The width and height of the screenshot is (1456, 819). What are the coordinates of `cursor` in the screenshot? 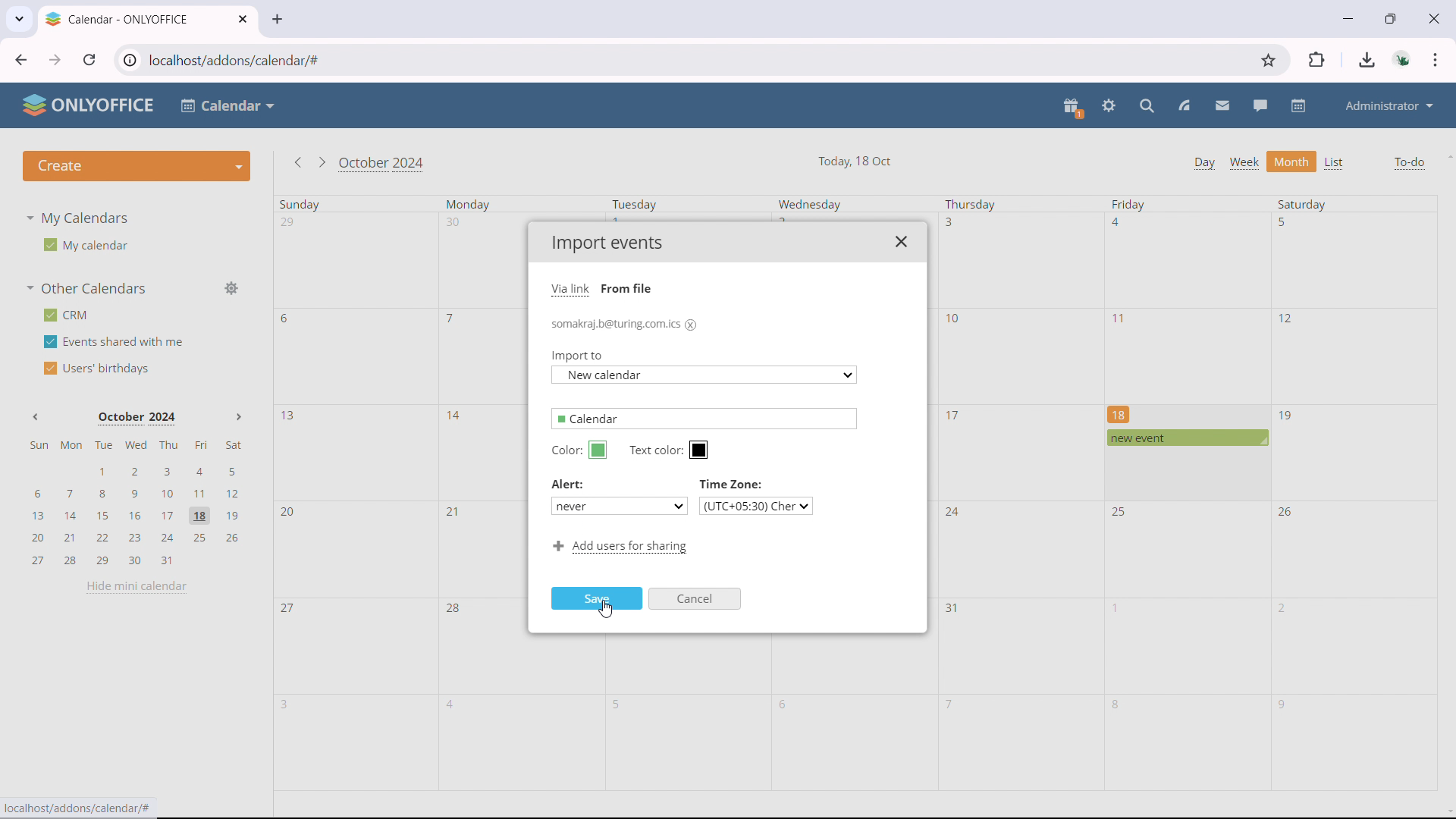 It's located at (607, 610).